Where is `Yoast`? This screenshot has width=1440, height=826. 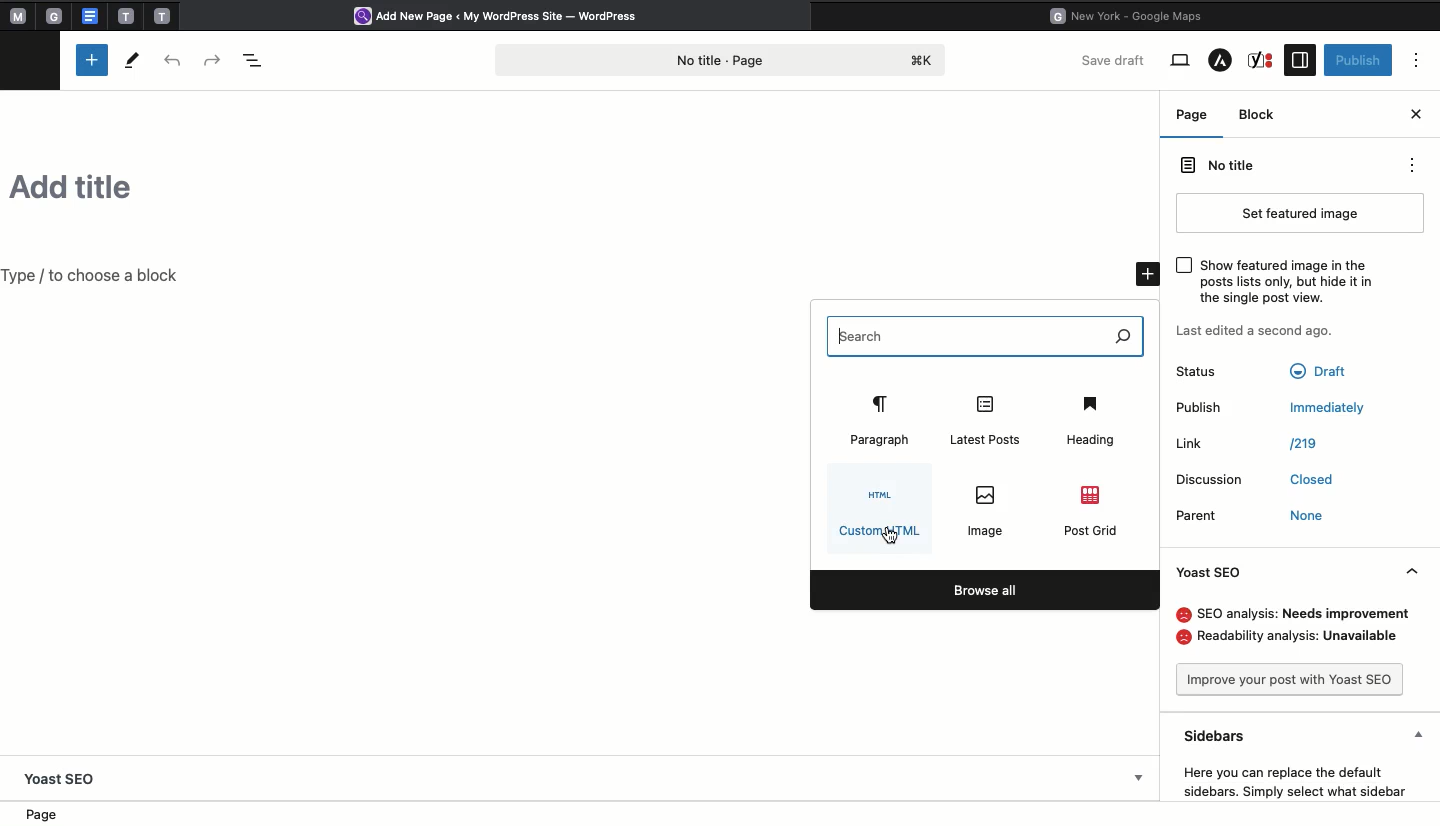
Yoast is located at coordinates (1263, 60).